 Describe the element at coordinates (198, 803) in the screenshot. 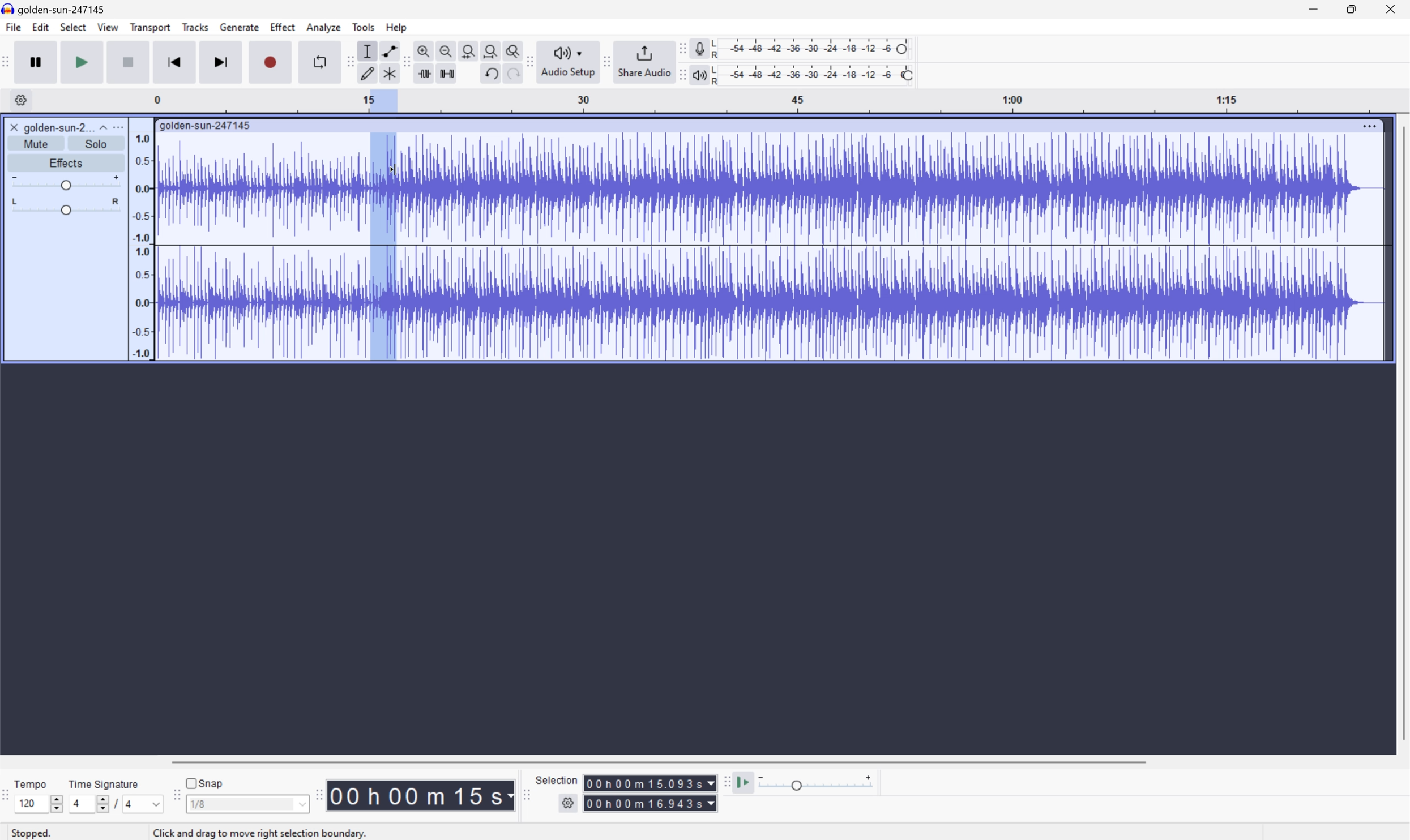

I see `1/8` at that location.